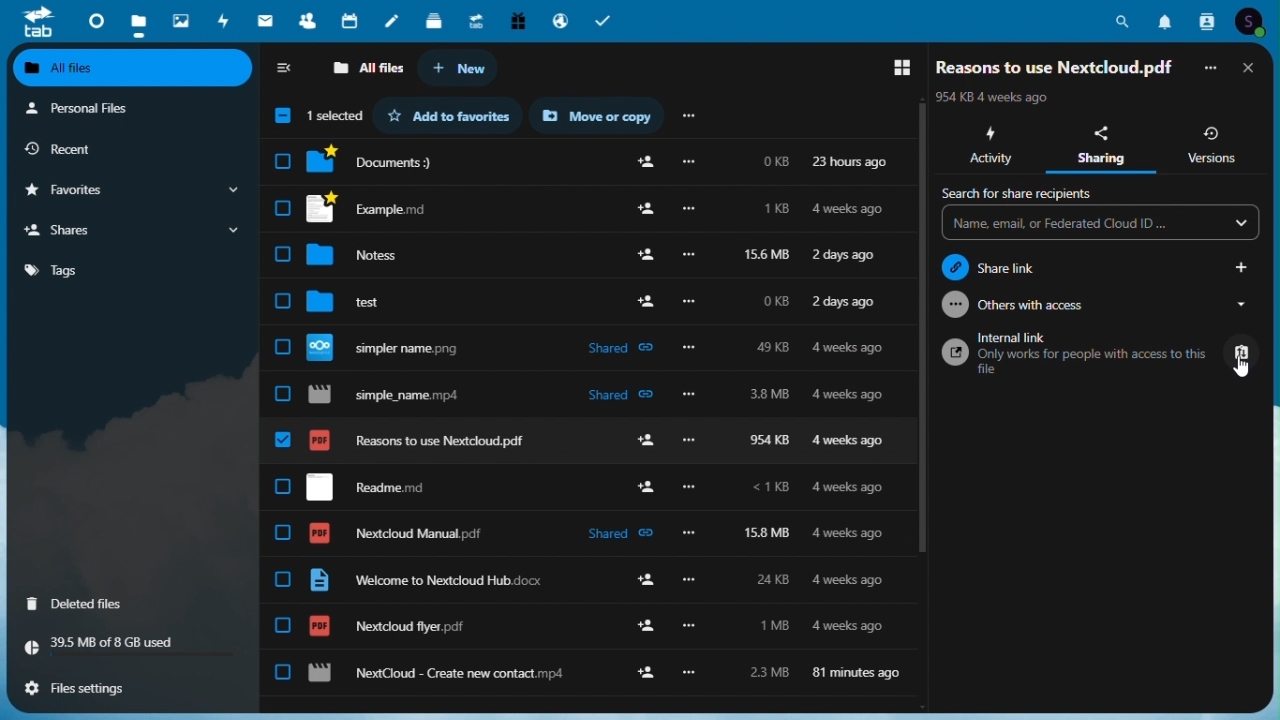  Describe the element at coordinates (773, 345) in the screenshot. I see `49 kb` at that location.